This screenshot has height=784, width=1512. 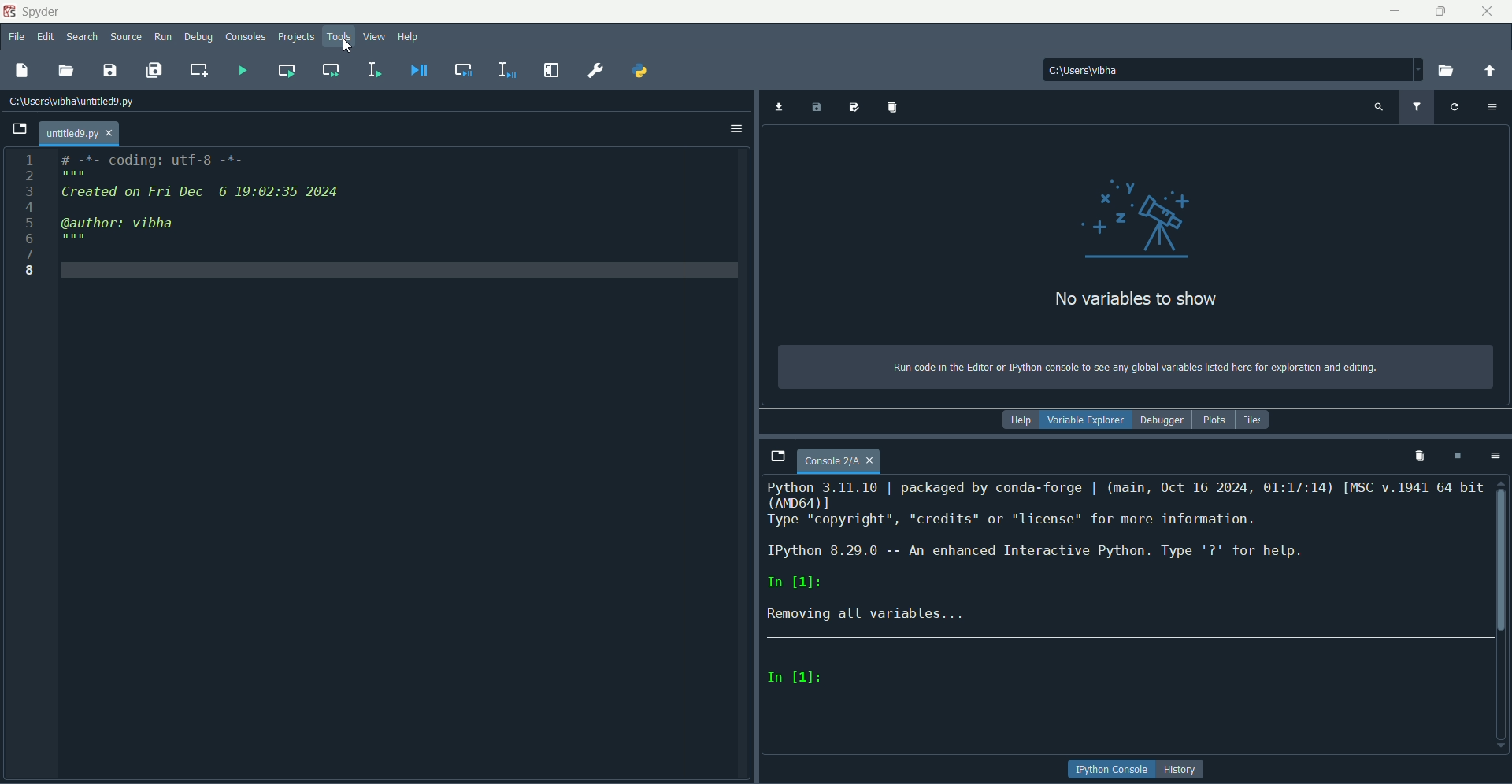 I want to click on cursor, so click(x=347, y=46).